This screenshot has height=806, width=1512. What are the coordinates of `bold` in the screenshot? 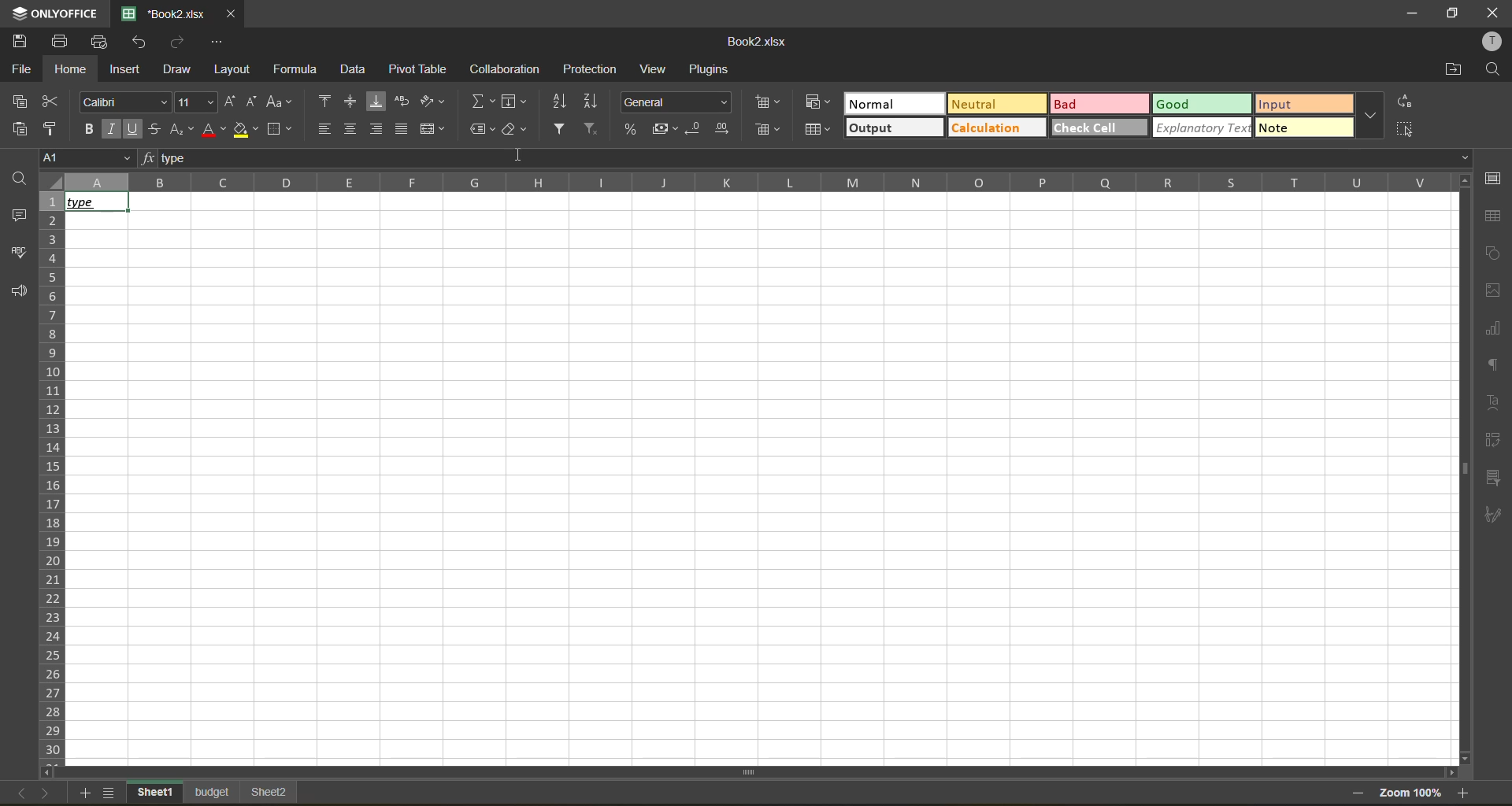 It's located at (89, 130).